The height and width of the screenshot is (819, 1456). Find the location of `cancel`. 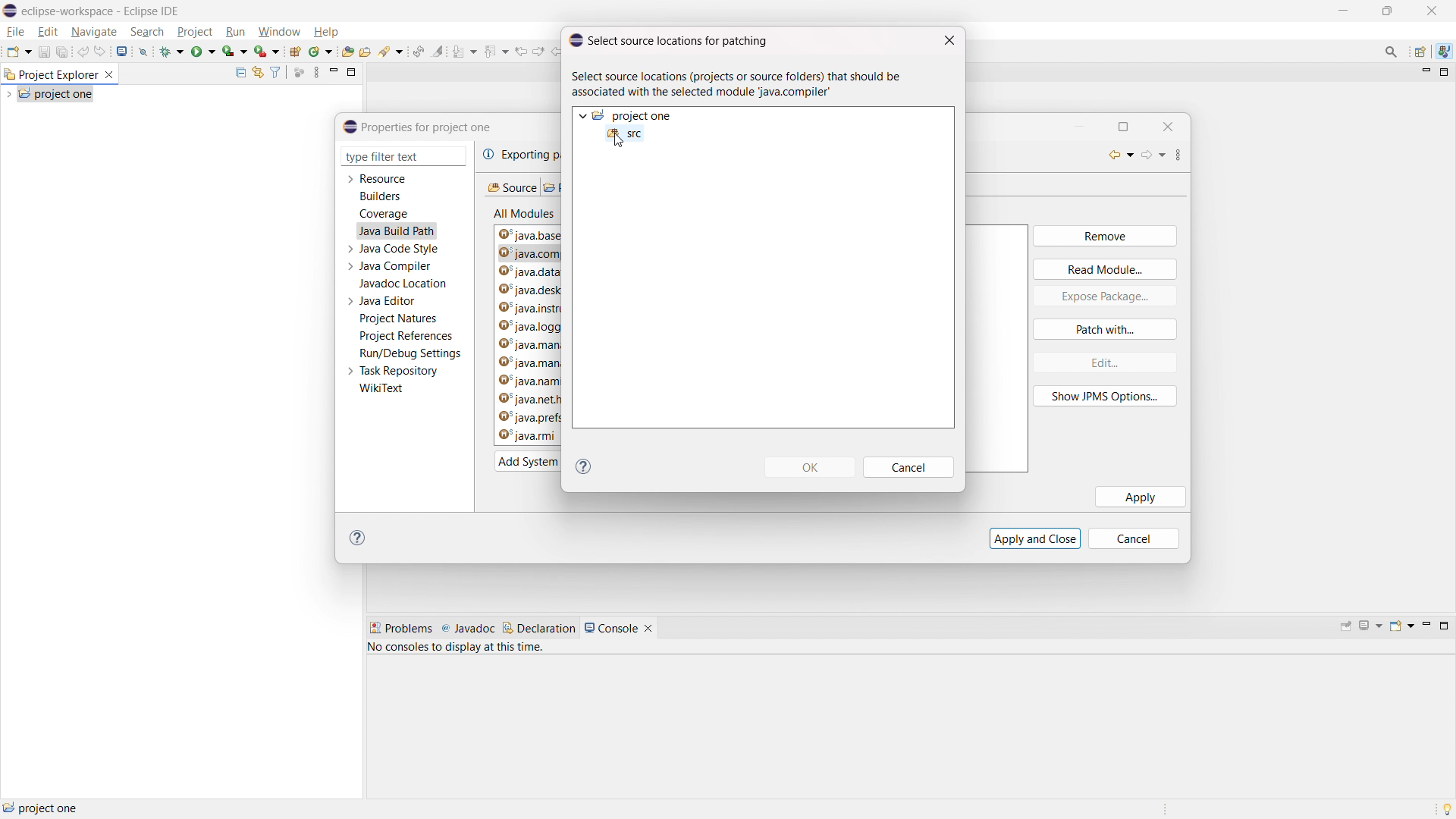

cancel is located at coordinates (1141, 538).